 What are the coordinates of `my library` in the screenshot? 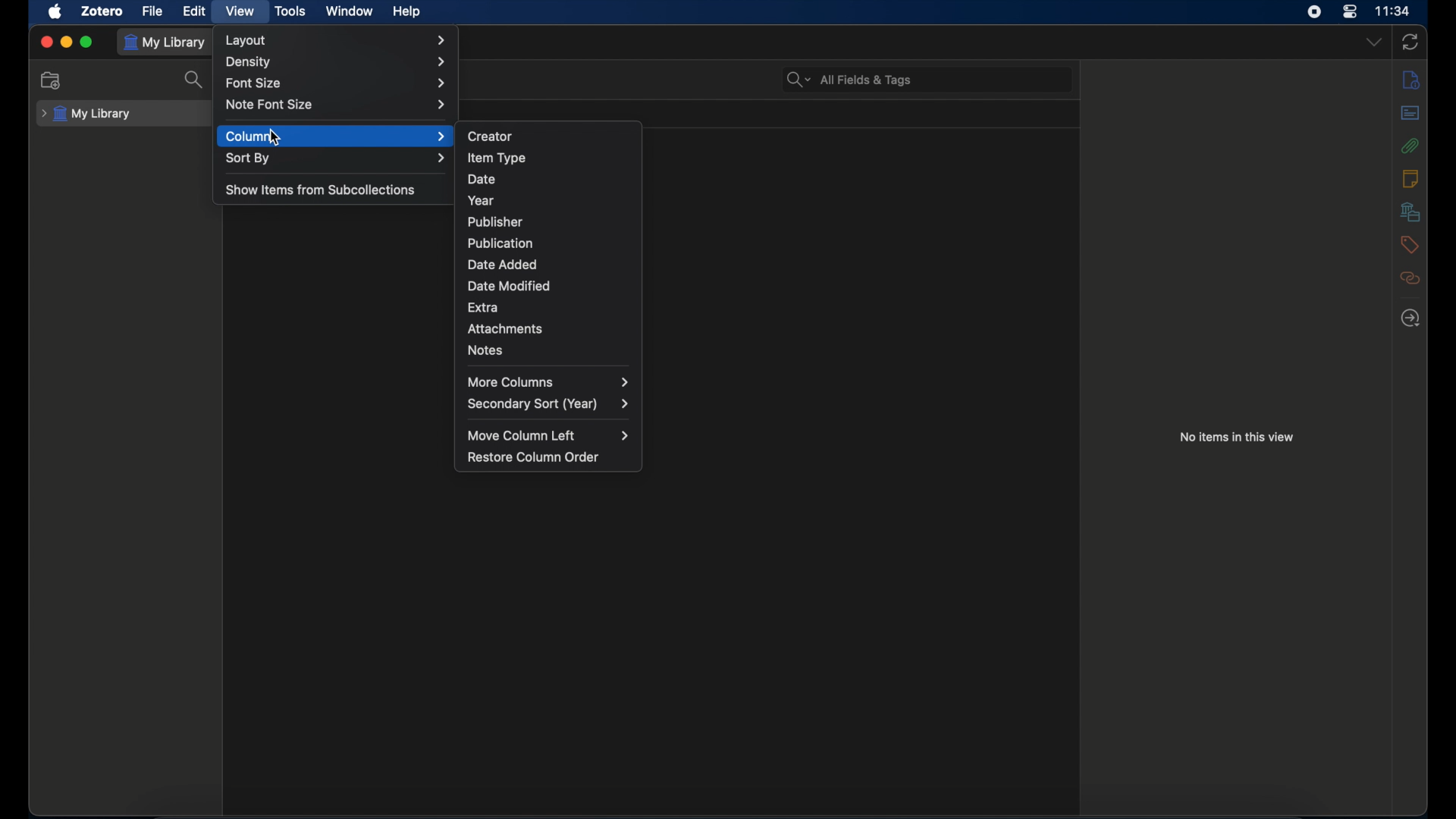 It's located at (165, 42).